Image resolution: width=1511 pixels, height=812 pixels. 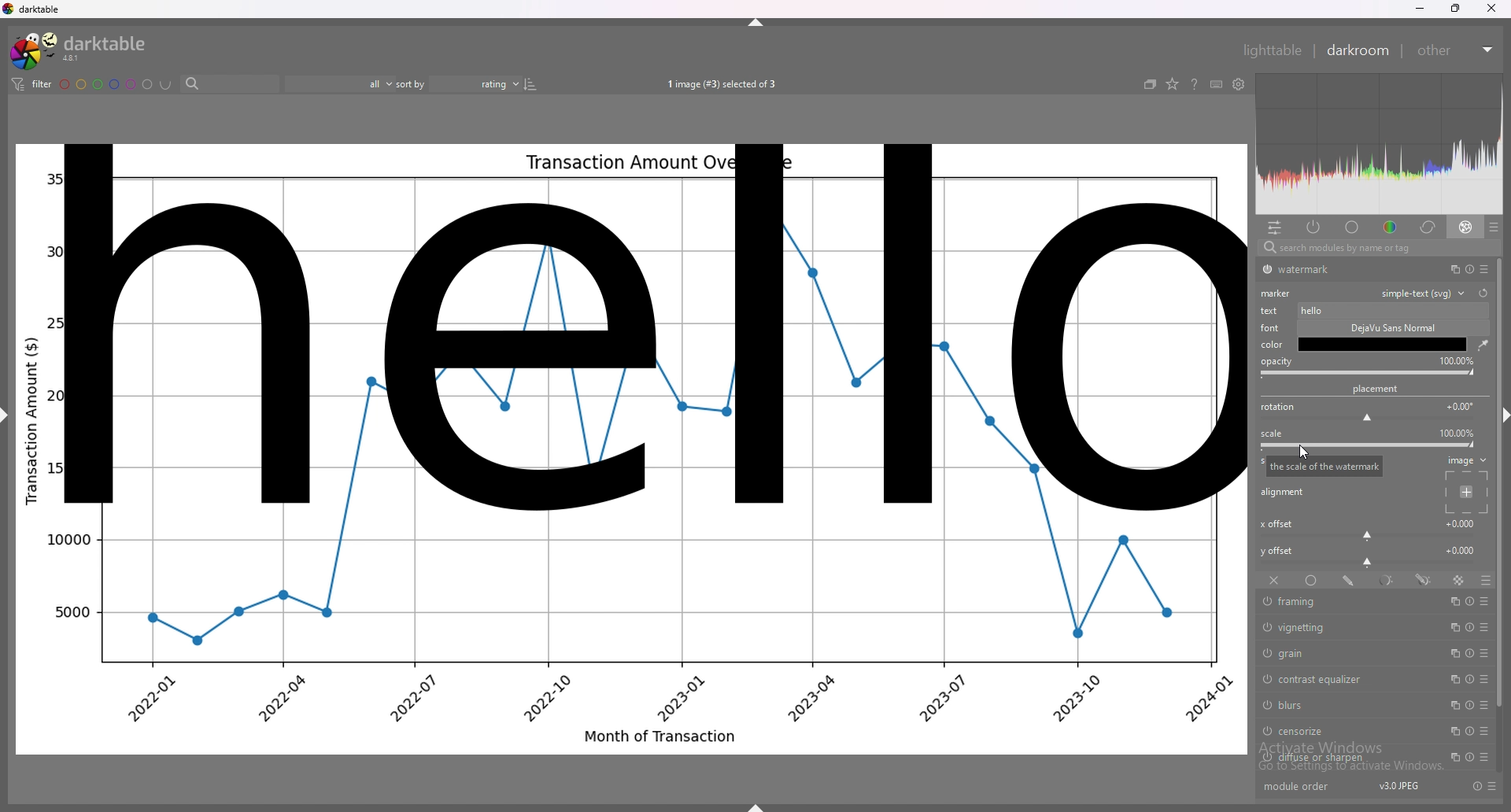 What do you see at coordinates (1453, 628) in the screenshot?
I see `multiple instances action` at bounding box center [1453, 628].